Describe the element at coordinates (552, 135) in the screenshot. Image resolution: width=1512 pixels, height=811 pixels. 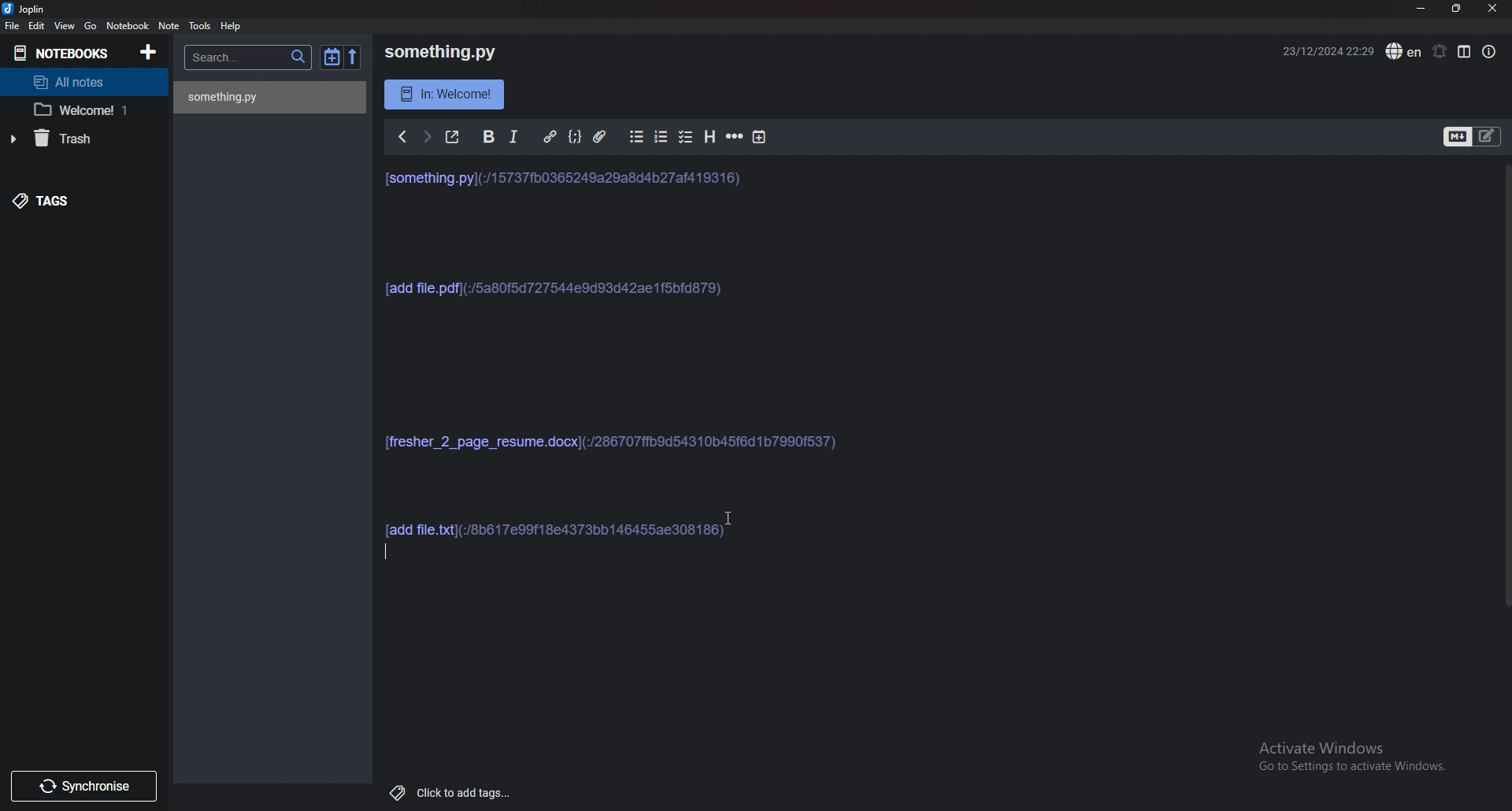
I see `Hyperlink` at that location.